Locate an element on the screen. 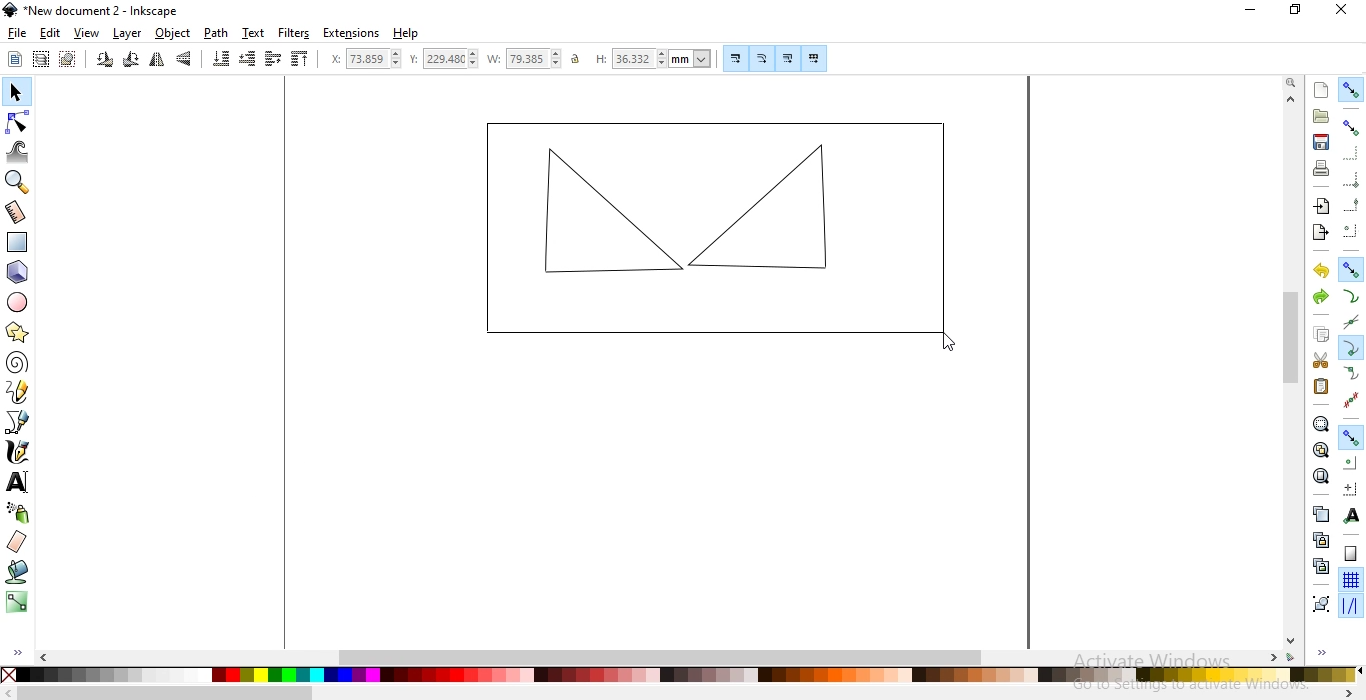 This screenshot has width=1366, height=700. zoom to fit drawing in window is located at coordinates (1320, 448).